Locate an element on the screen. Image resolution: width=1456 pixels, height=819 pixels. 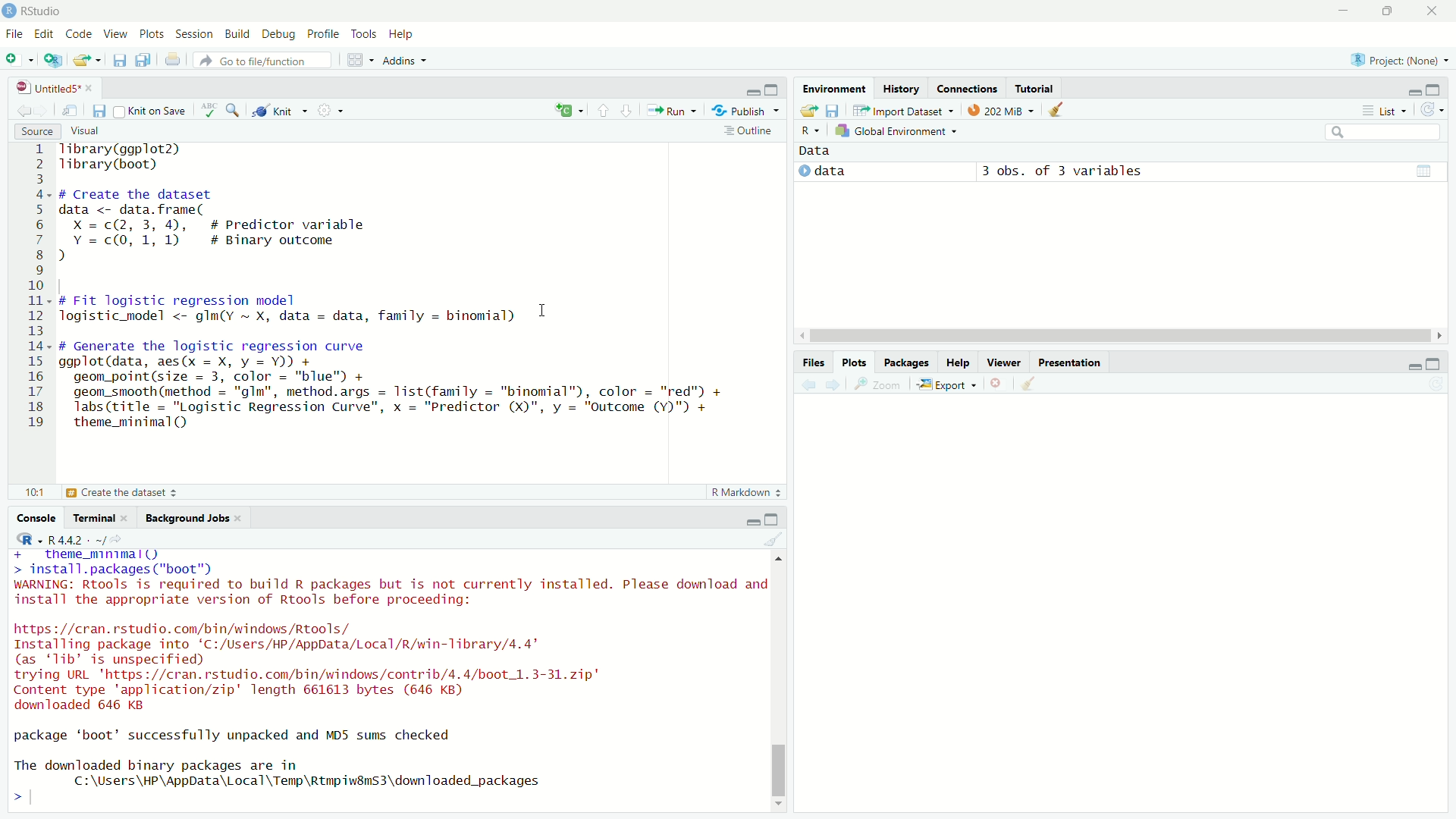
Source is located at coordinates (38, 131).